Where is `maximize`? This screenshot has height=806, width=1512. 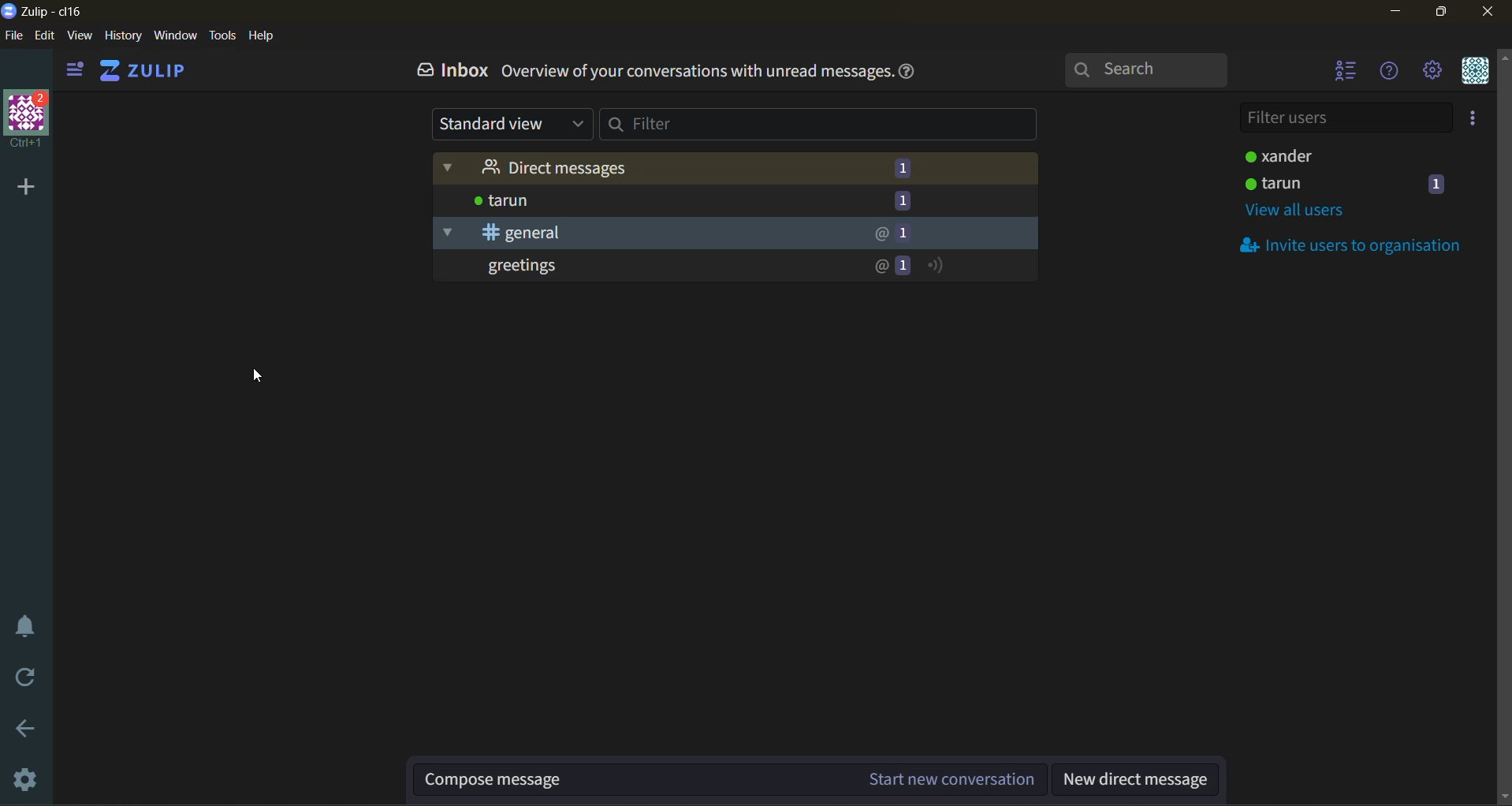 maximize is located at coordinates (1441, 13).